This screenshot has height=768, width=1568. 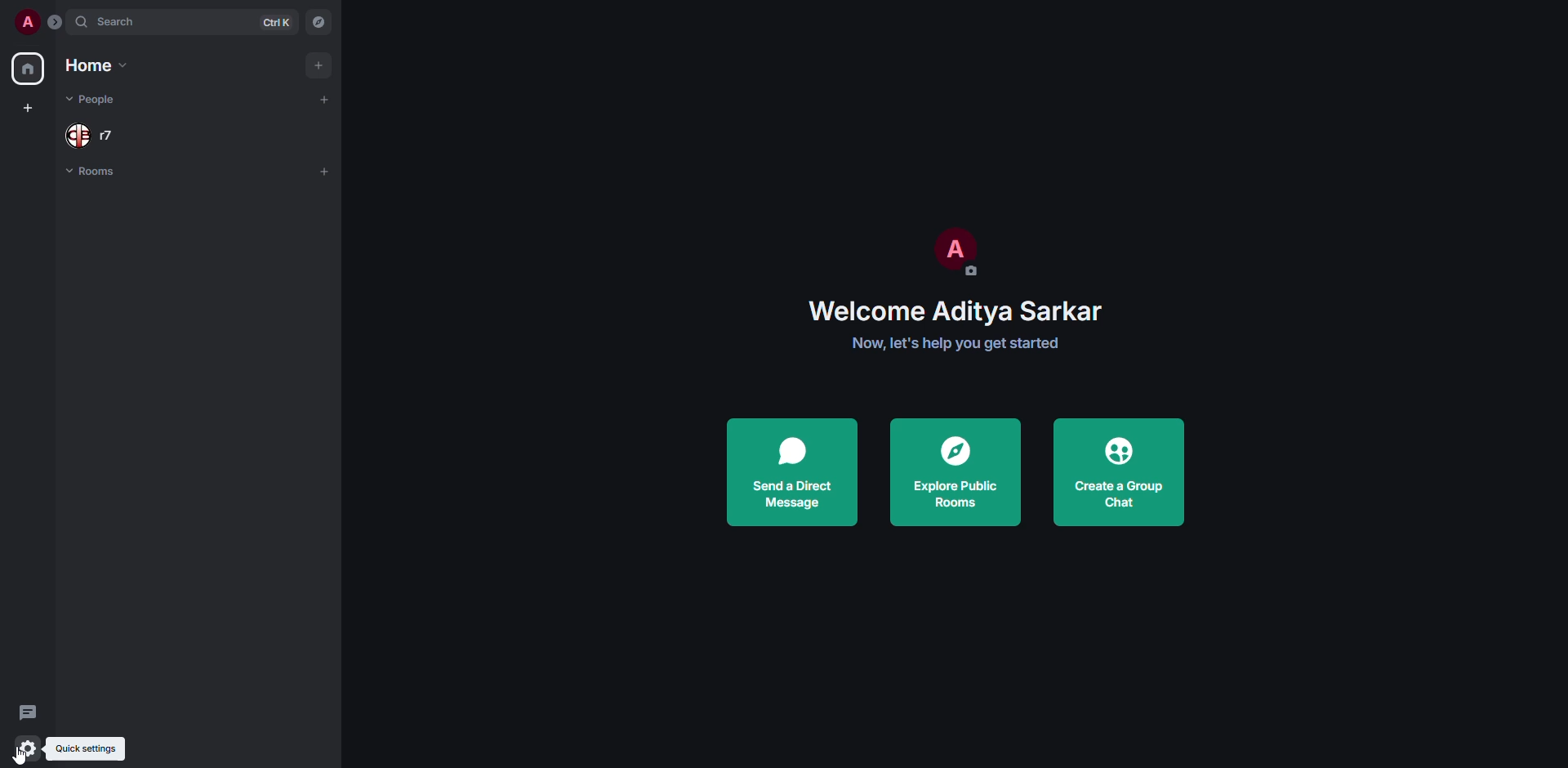 What do you see at coordinates (29, 747) in the screenshot?
I see `quick settings` at bounding box center [29, 747].